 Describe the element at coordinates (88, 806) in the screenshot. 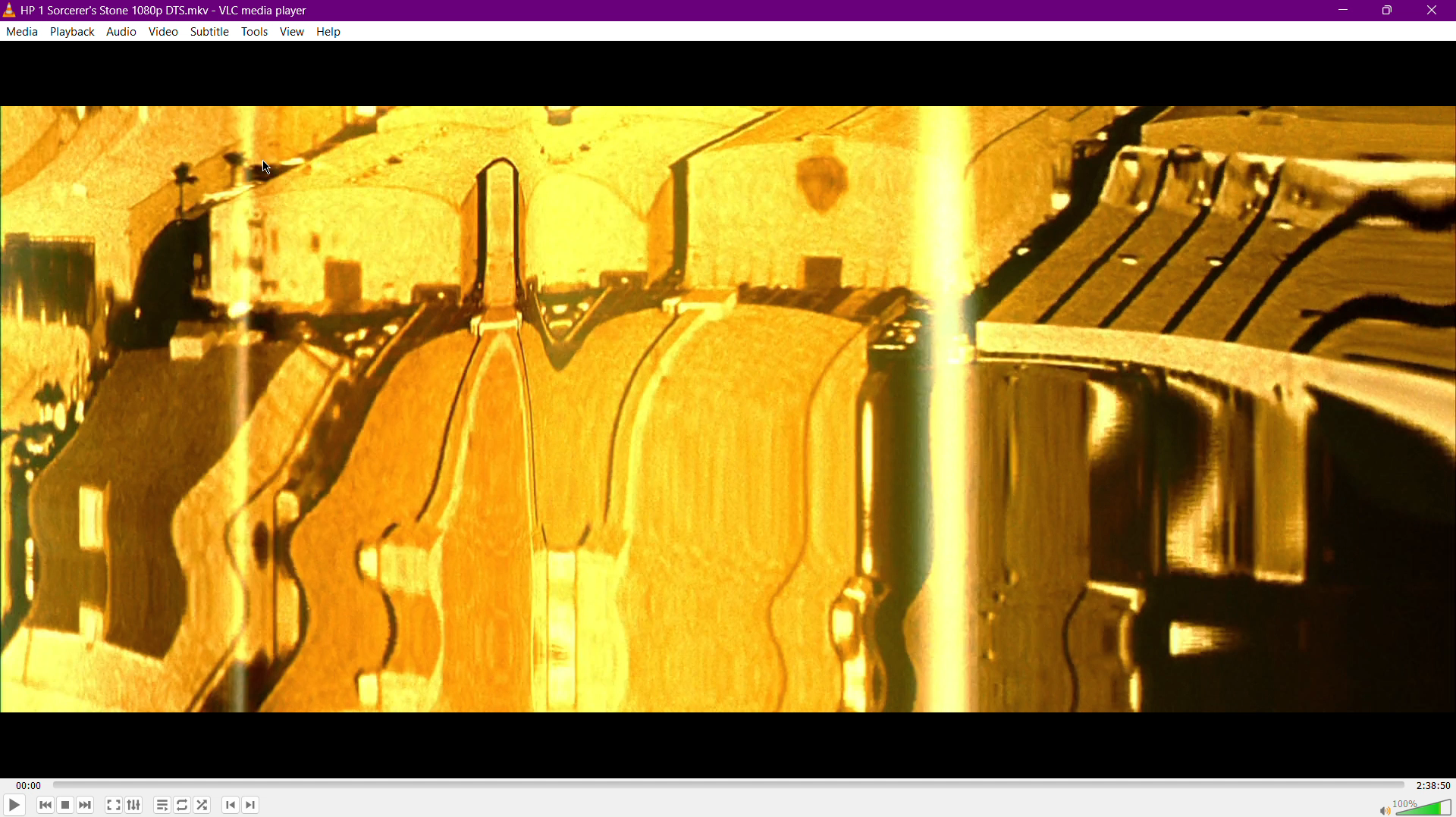

I see `Skip Forward` at that location.